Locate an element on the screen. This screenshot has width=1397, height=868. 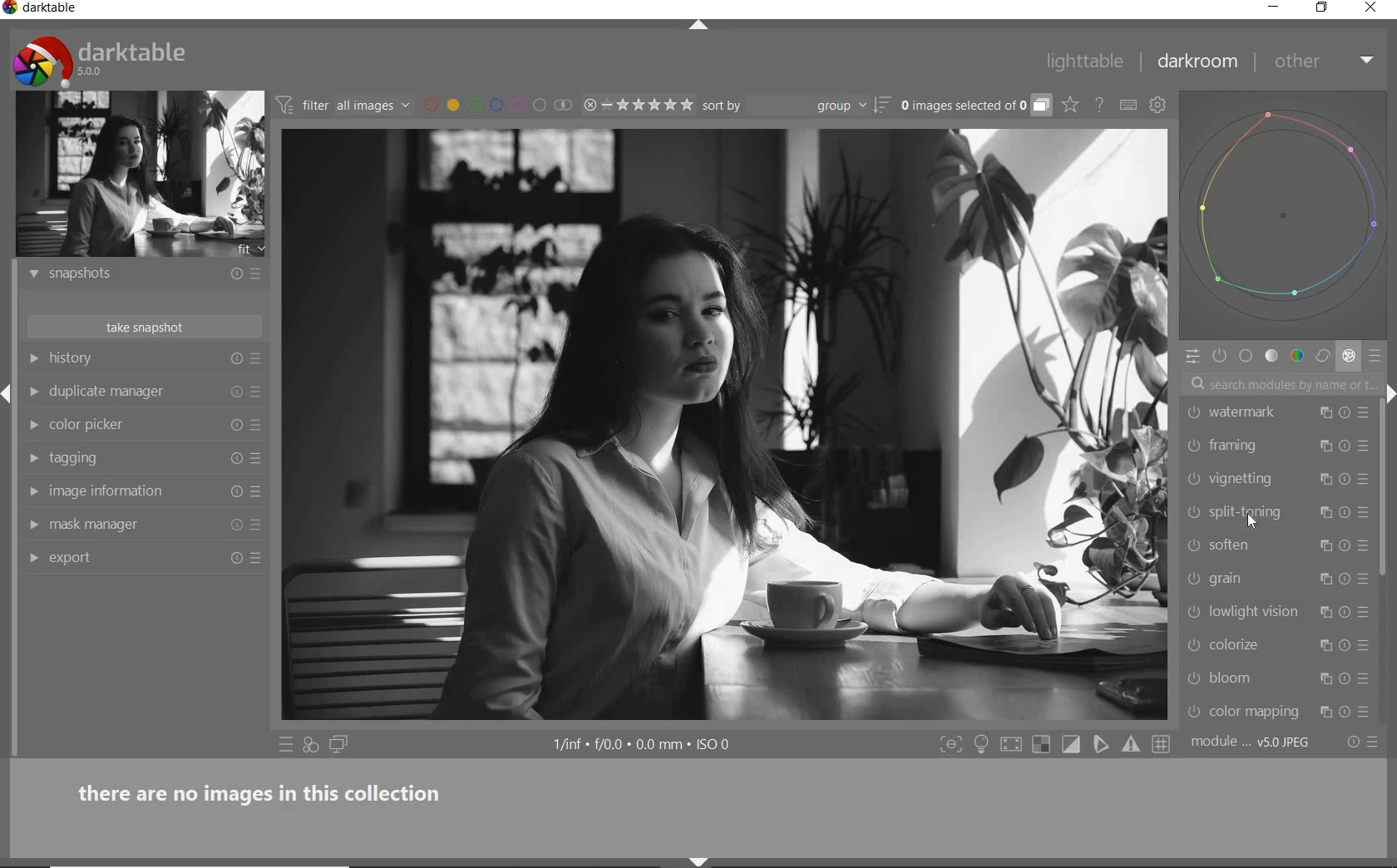
bloom is located at coordinates (1253, 678).